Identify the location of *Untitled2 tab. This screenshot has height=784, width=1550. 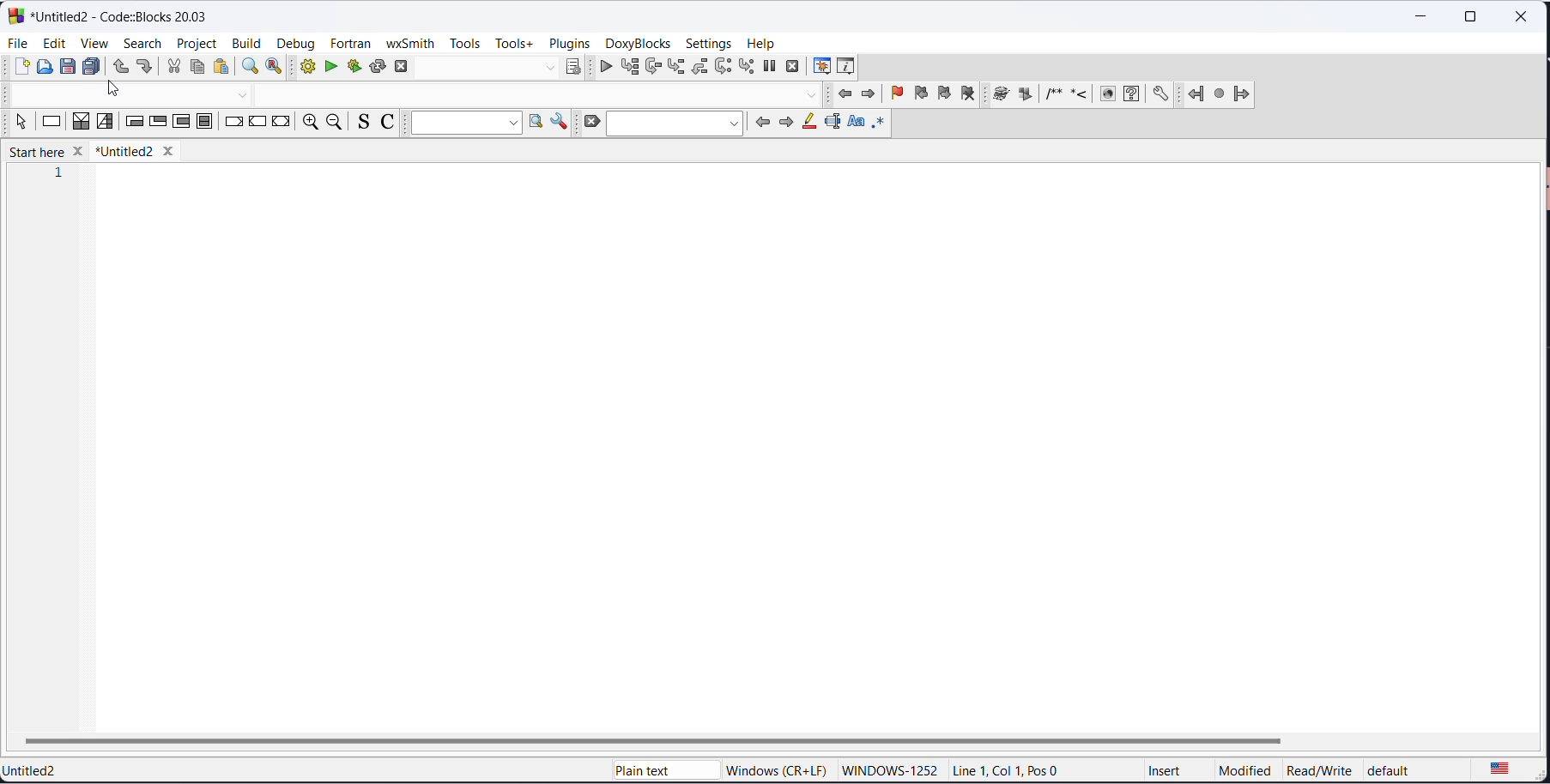
(139, 150).